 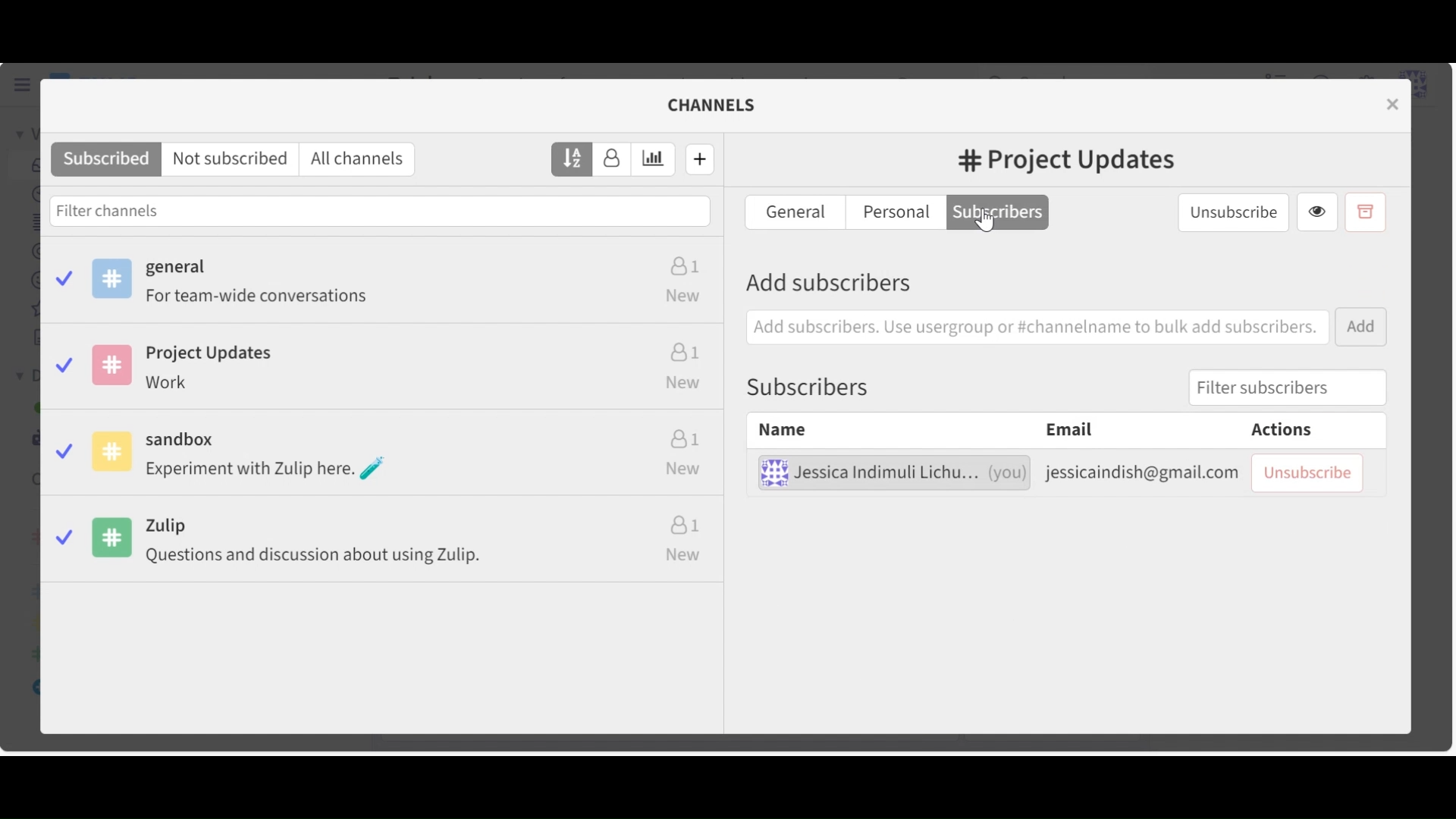 What do you see at coordinates (384, 278) in the screenshot?
I see `General` at bounding box center [384, 278].